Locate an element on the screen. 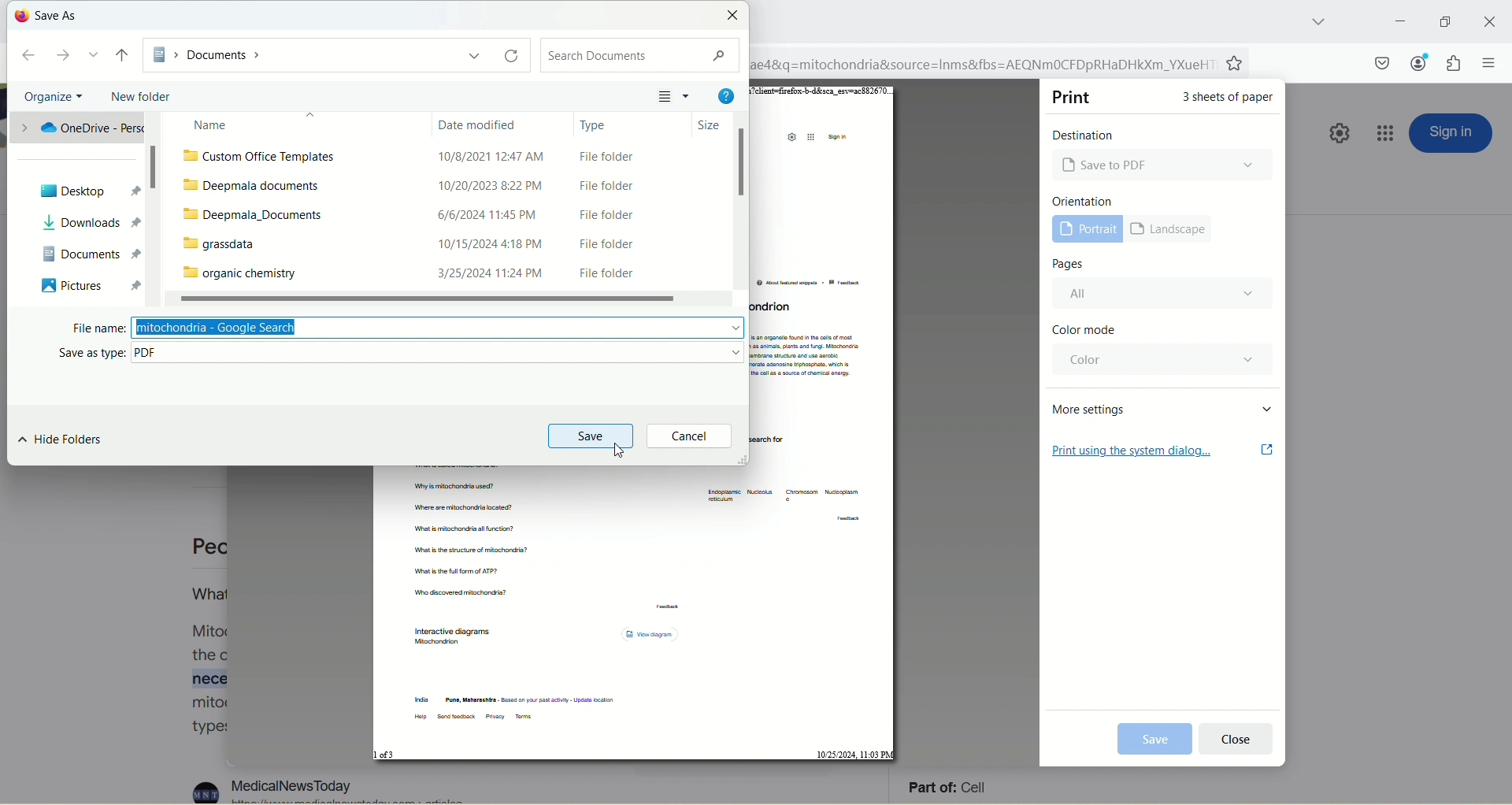  portrait is located at coordinates (1088, 229).